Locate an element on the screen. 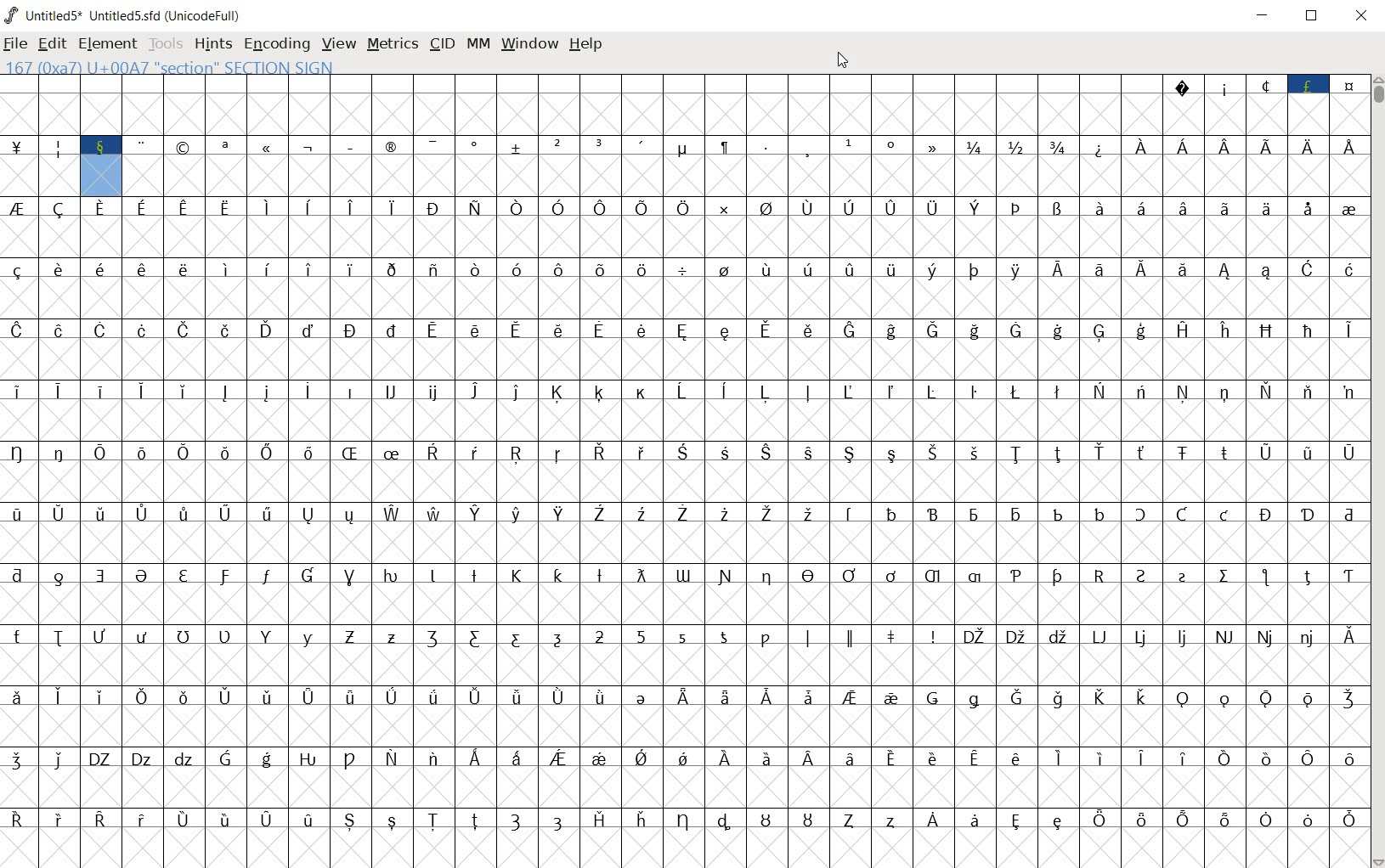  Latin extended characters is located at coordinates (1243, 167).